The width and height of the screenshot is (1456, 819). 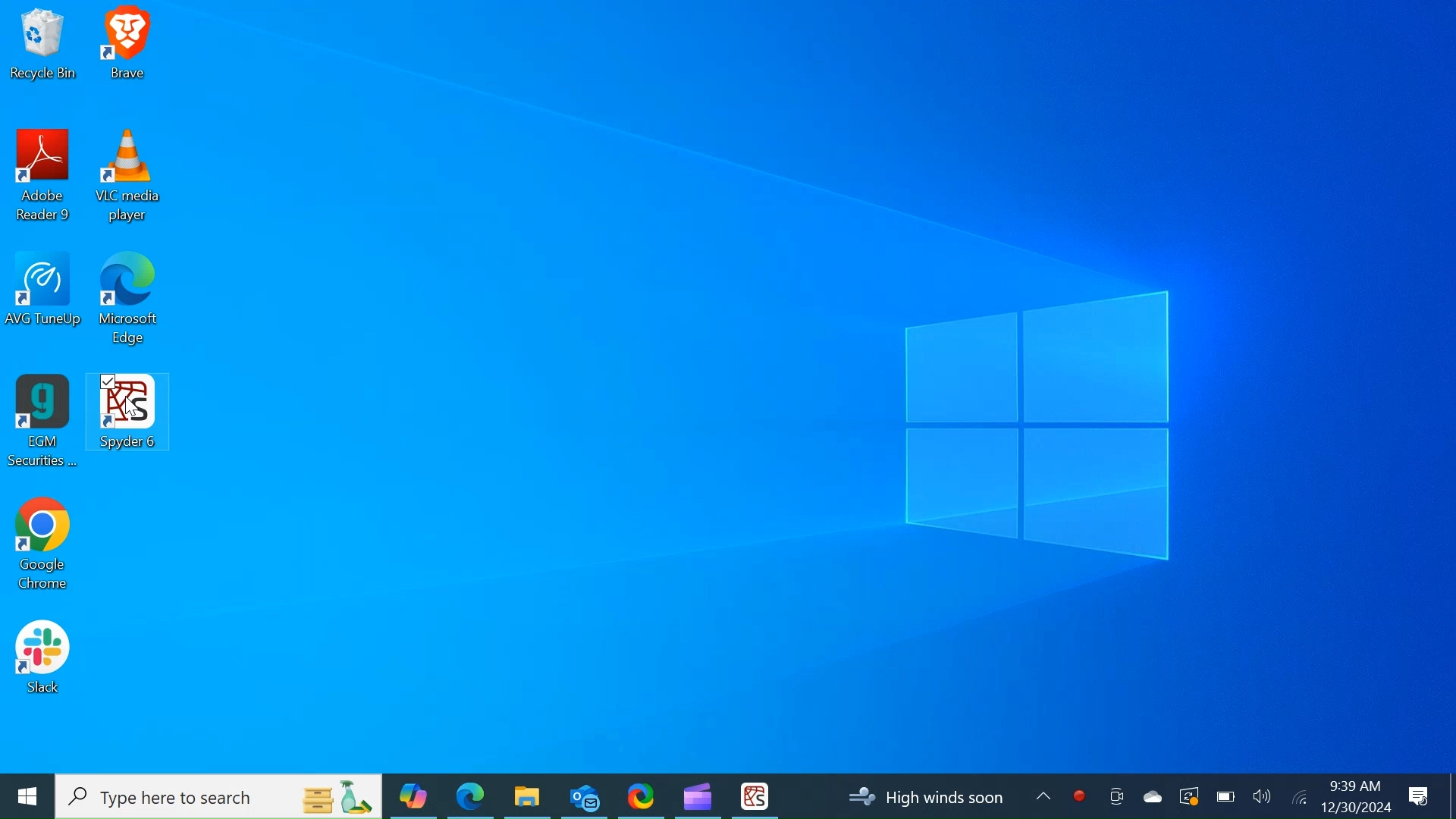 What do you see at coordinates (1043, 795) in the screenshot?
I see `show hidden icons` at bounding box center [1043, 795].